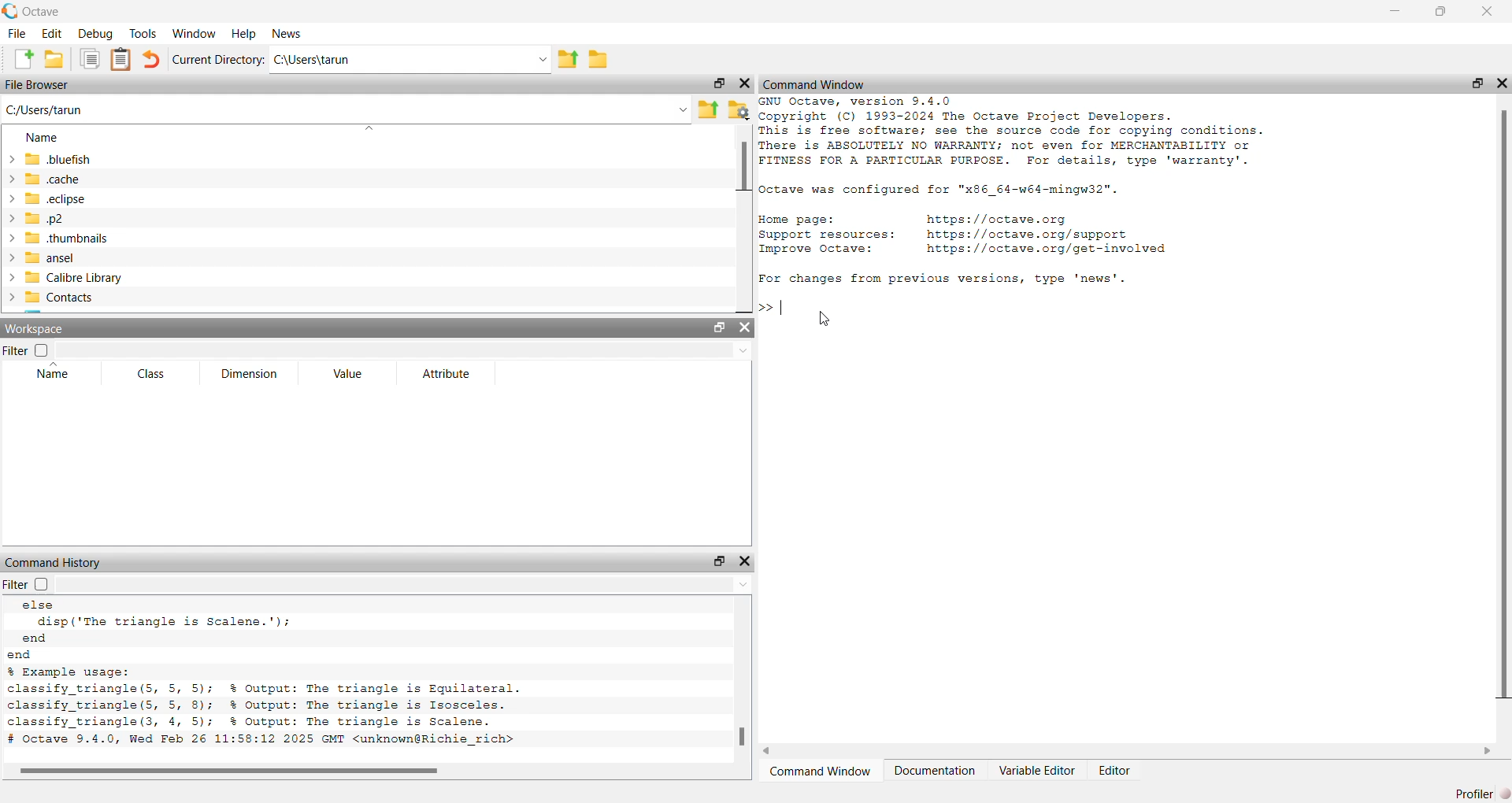  I want to click on prompt cursor, so click(762, 308).